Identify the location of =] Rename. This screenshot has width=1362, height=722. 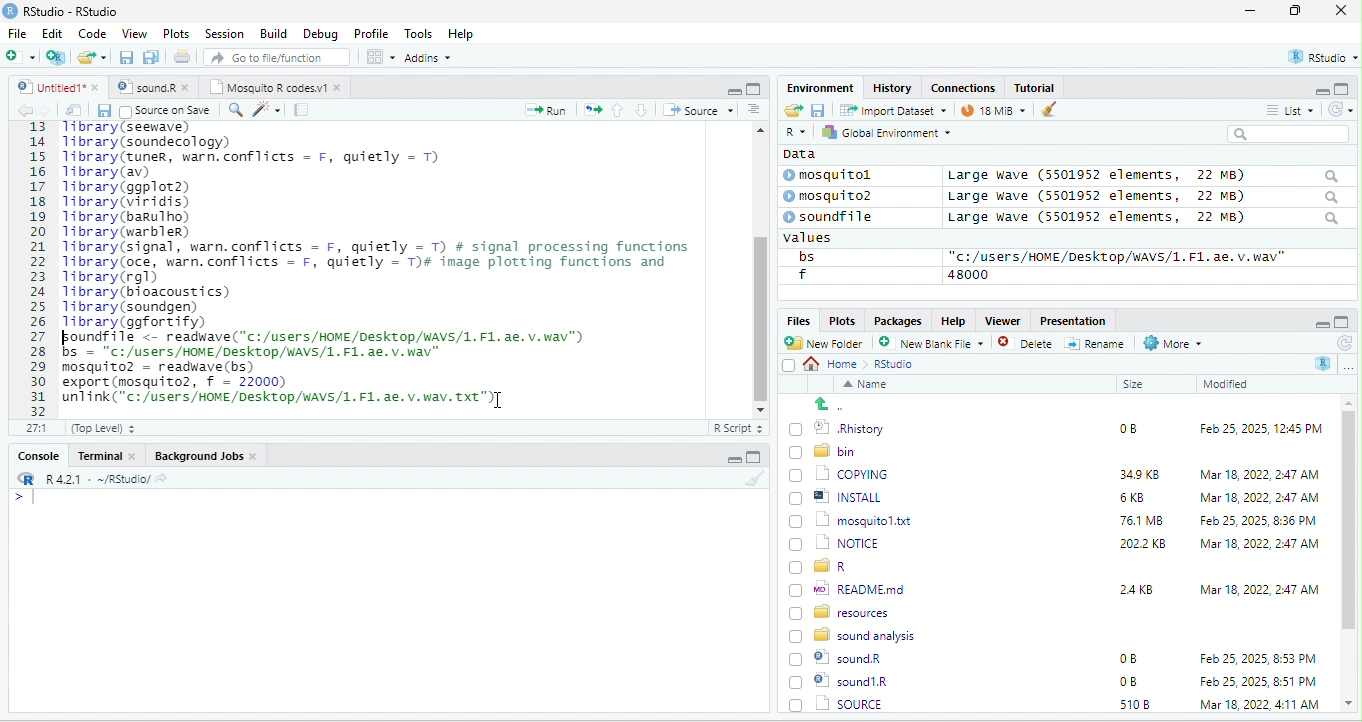
(1096, 343).